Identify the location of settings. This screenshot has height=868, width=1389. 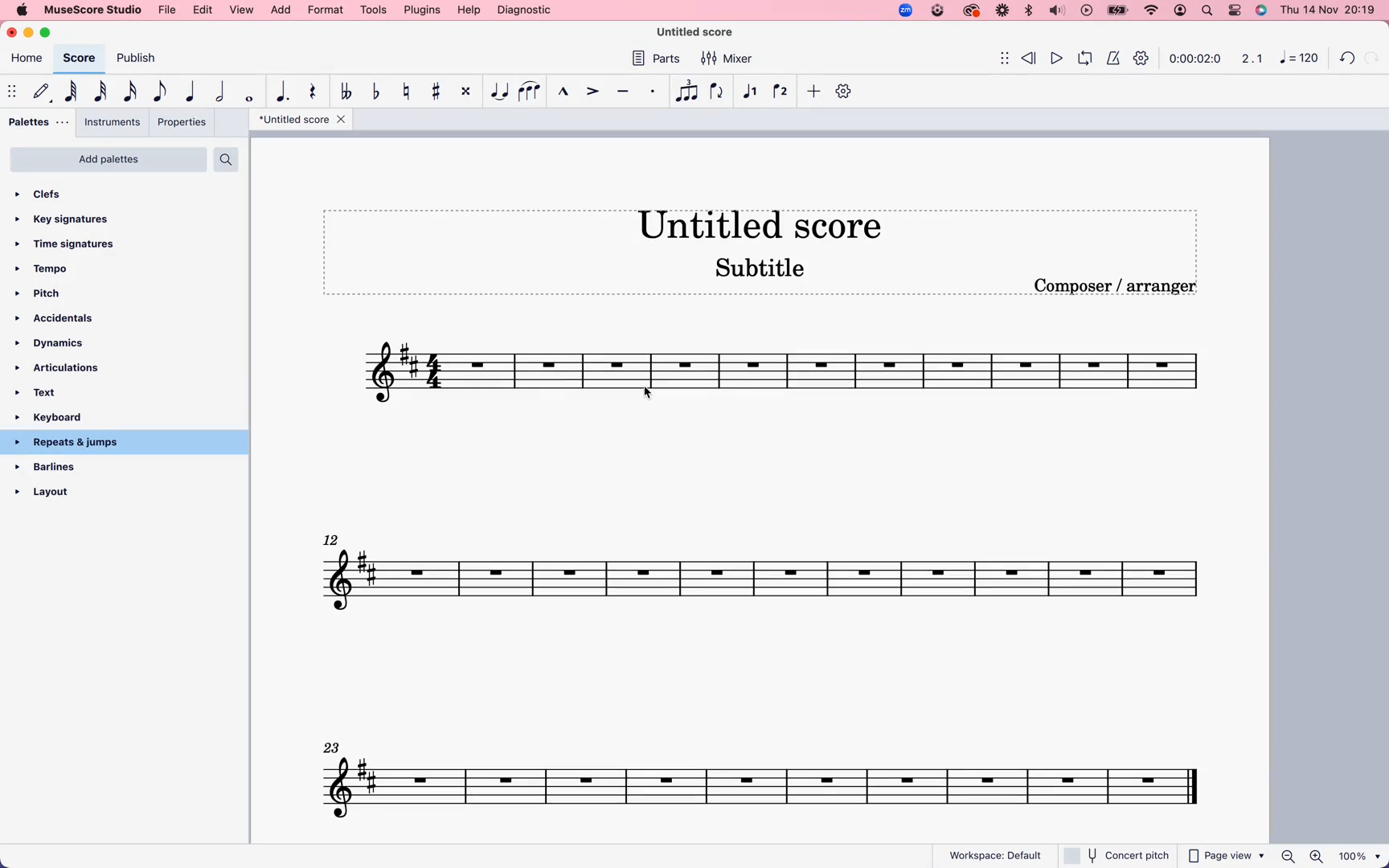
(1235, 10).